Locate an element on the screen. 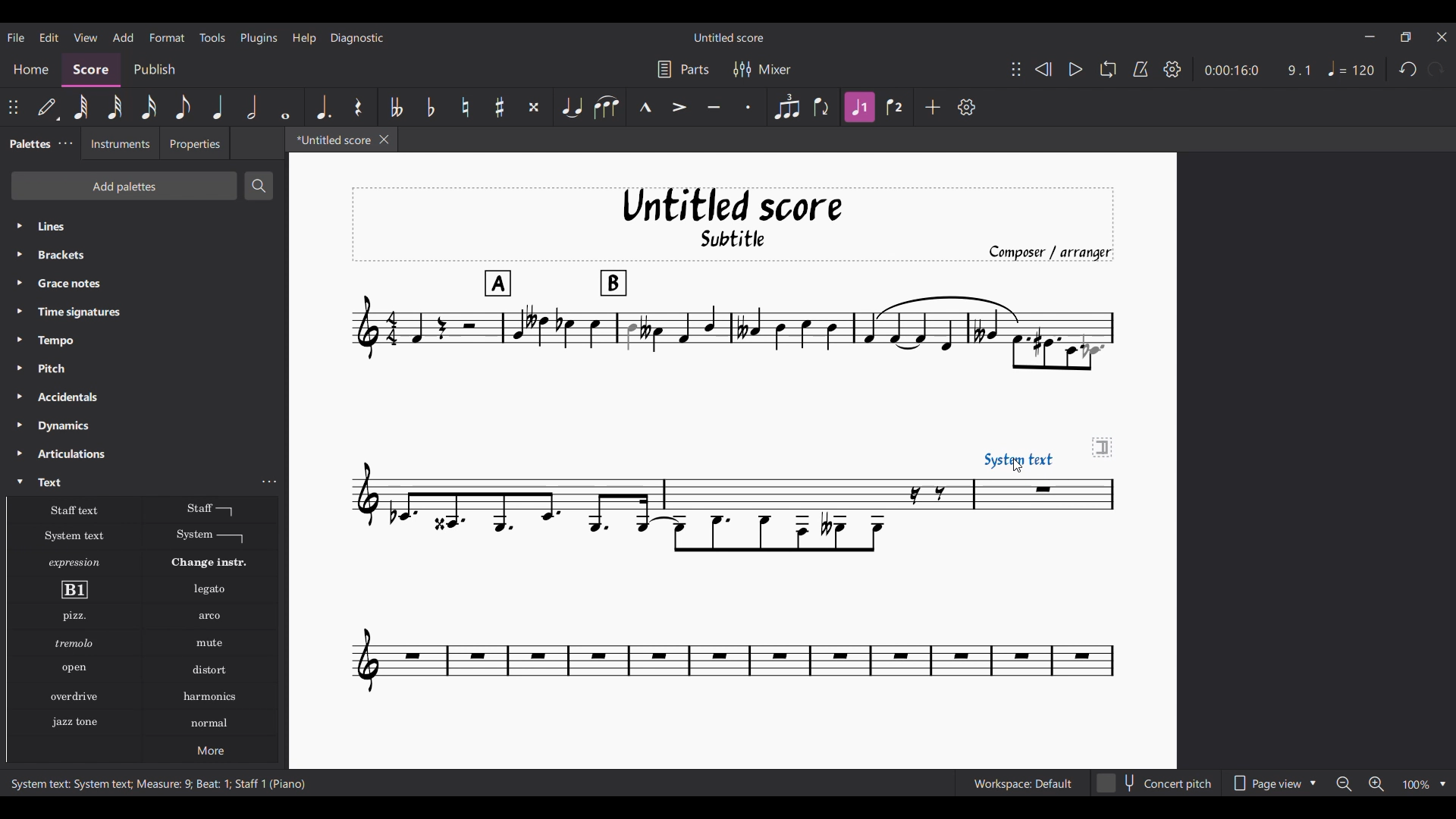 The height and width of the screenshot is (819, 1456). Marcato is located at coordinates (645, 107).